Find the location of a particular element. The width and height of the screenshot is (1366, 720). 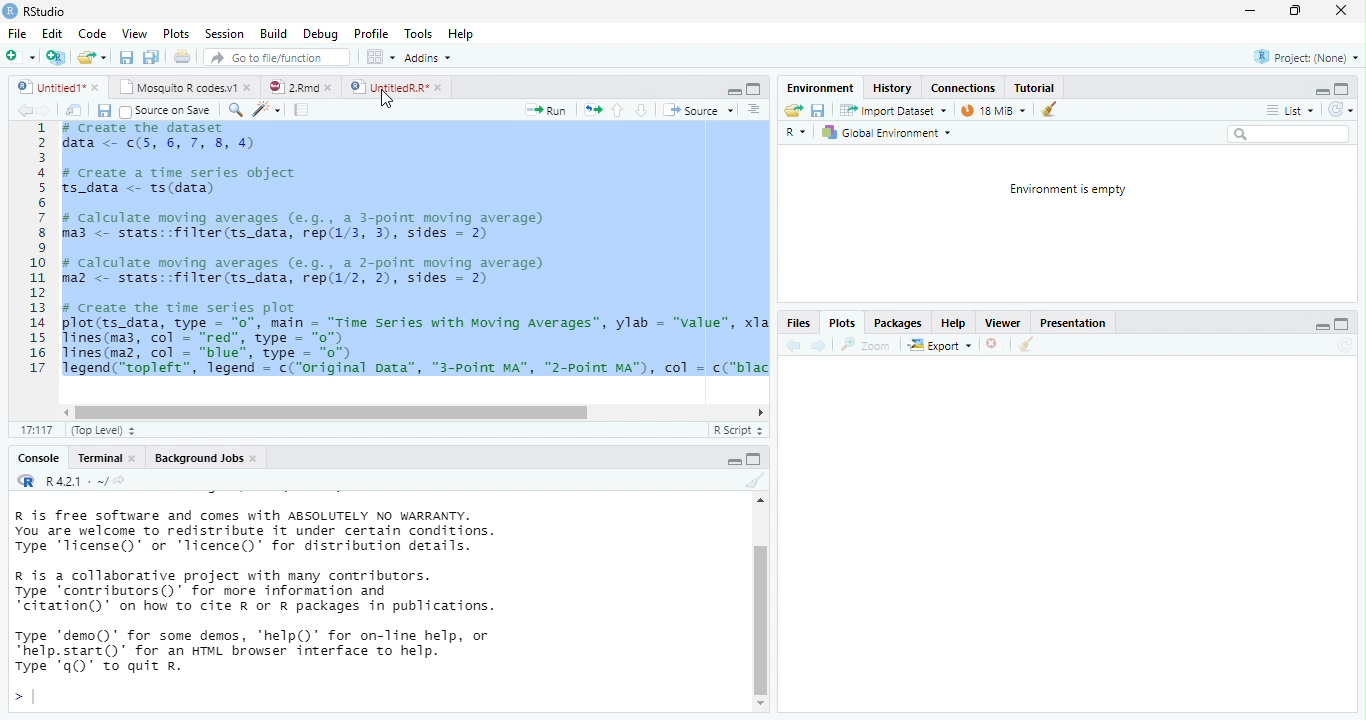

R is located at coordinates (798, 134).